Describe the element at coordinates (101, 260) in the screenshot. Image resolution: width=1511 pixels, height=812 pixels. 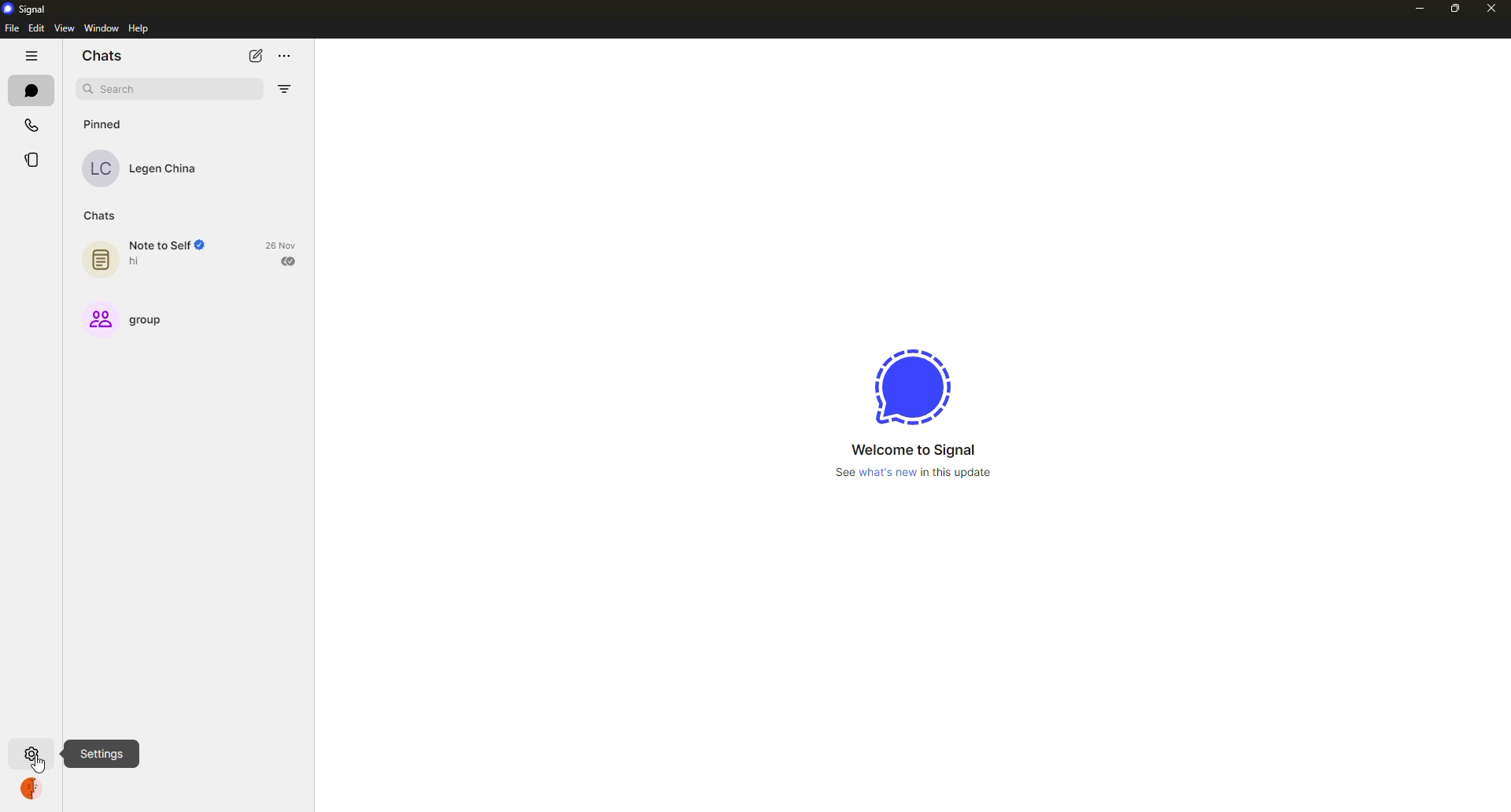
I see `Chat Icon` at that location.